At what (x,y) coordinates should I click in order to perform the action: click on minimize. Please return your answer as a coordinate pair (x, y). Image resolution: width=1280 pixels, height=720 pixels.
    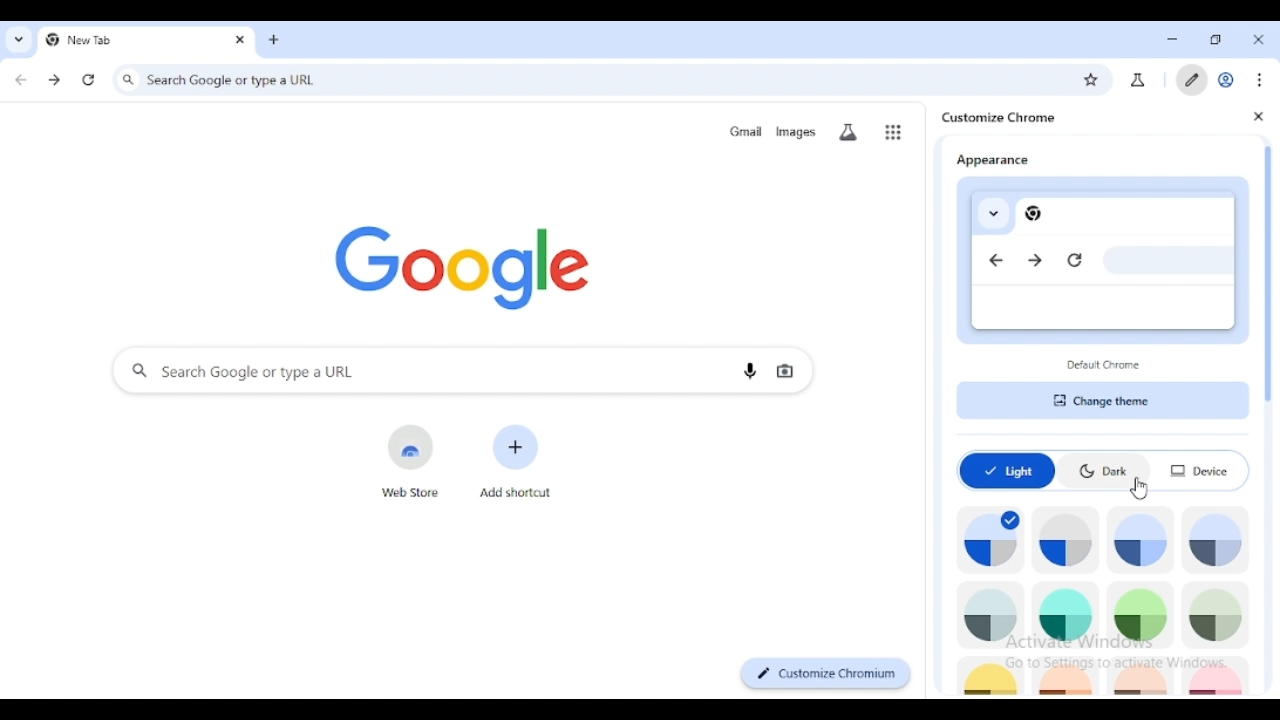
    Looking at the image, I should click on (1173, 40).